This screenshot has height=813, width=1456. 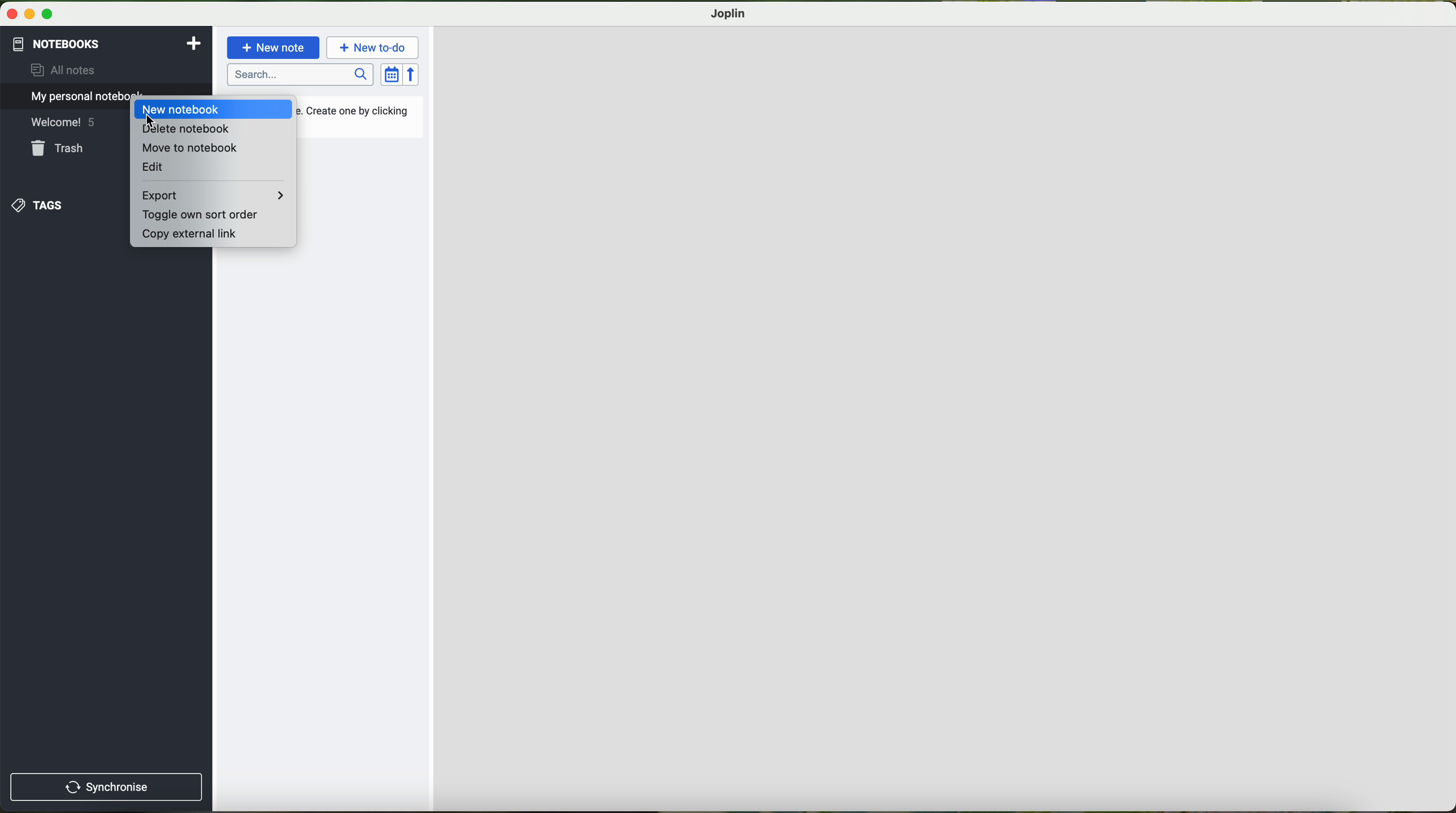 What do you see at coordinates (190, 149) in the screenshot?
I see `move to notebook` at bounding box center [190, 149].